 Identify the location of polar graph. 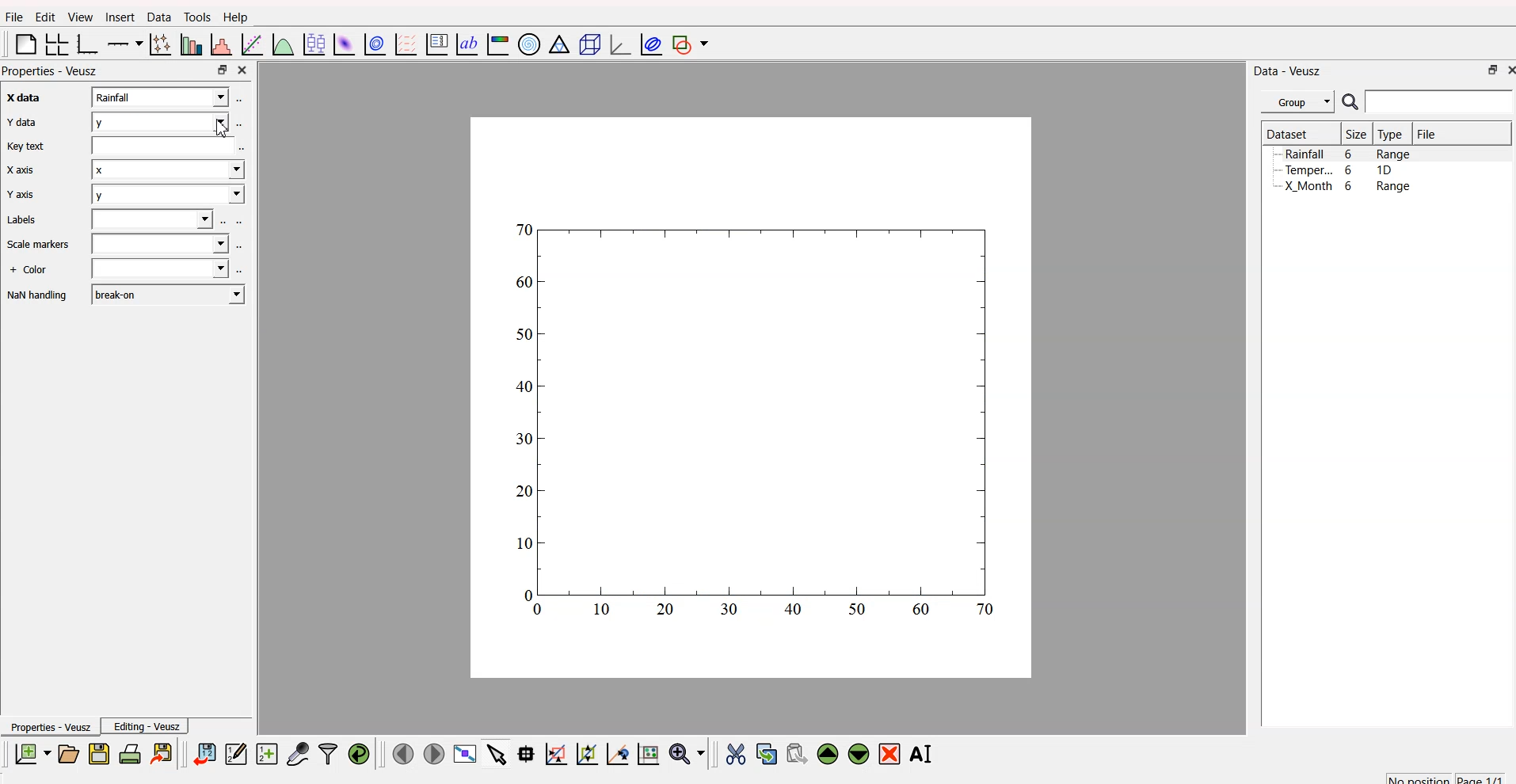
(531, 42).